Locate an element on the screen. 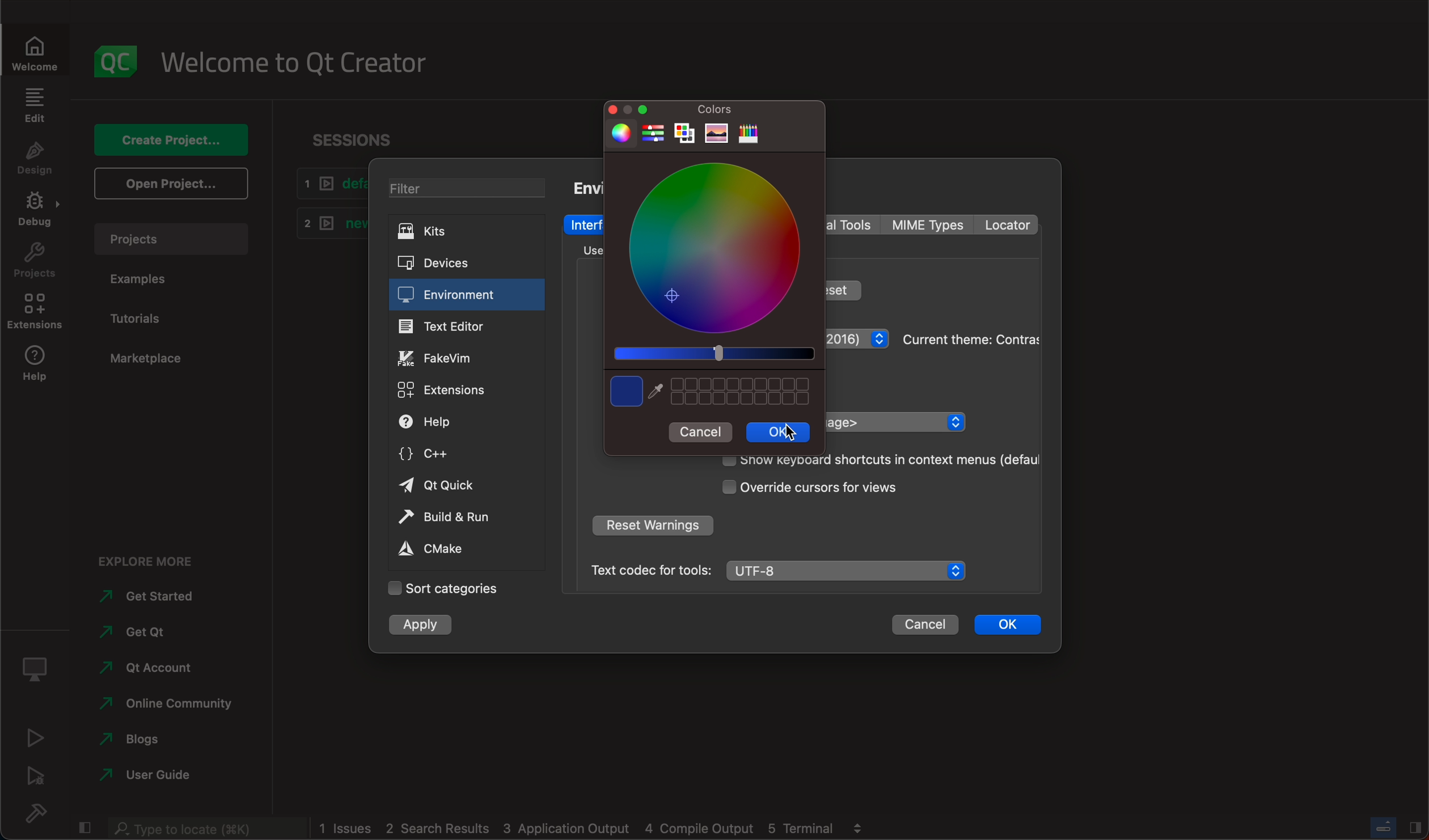 The width and height of the screenshot is (1429, 840). view output is located at coordinates (861, 824).